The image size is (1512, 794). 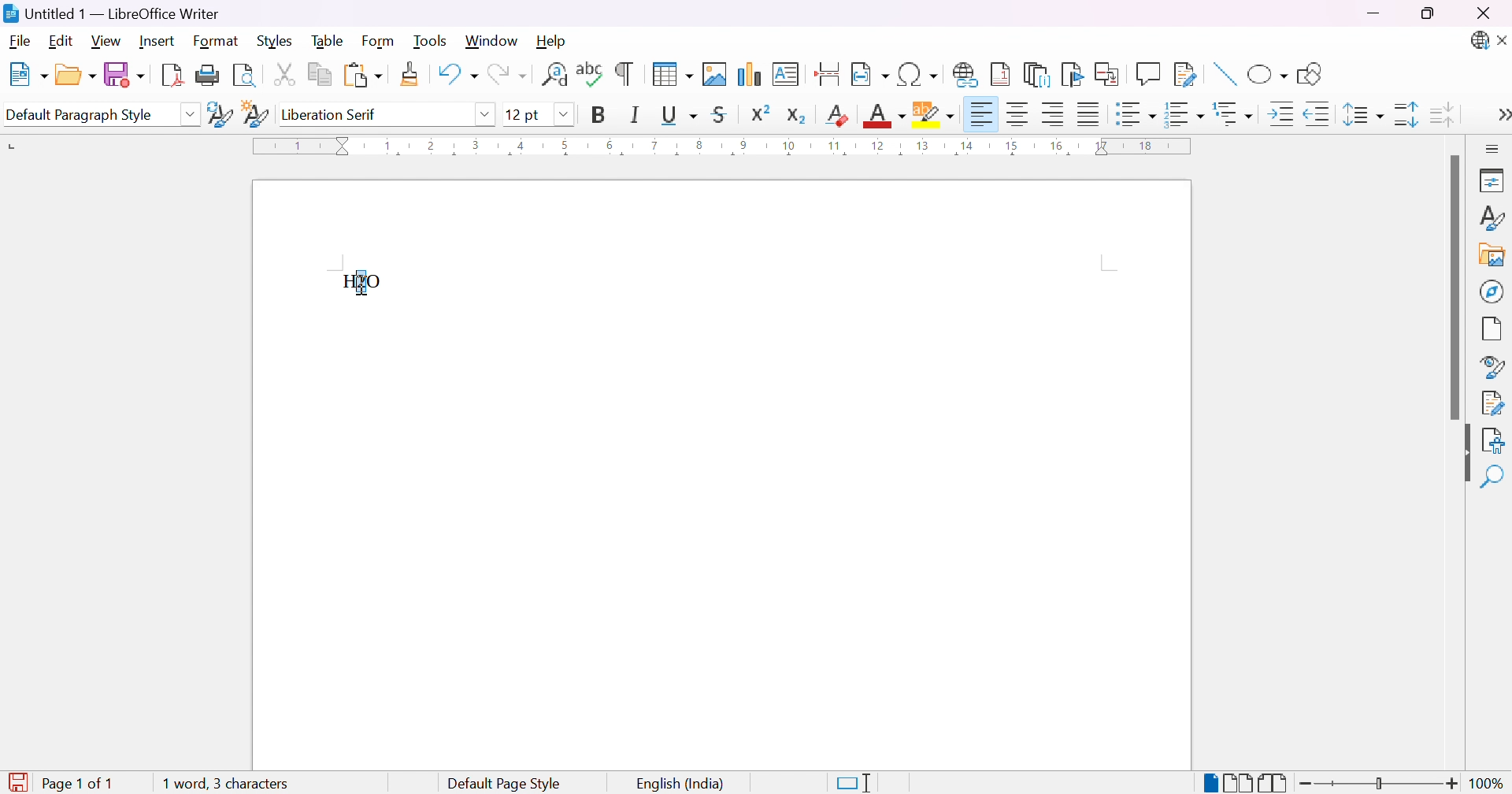 I want to click on Undo, so click(x=456, y=78).